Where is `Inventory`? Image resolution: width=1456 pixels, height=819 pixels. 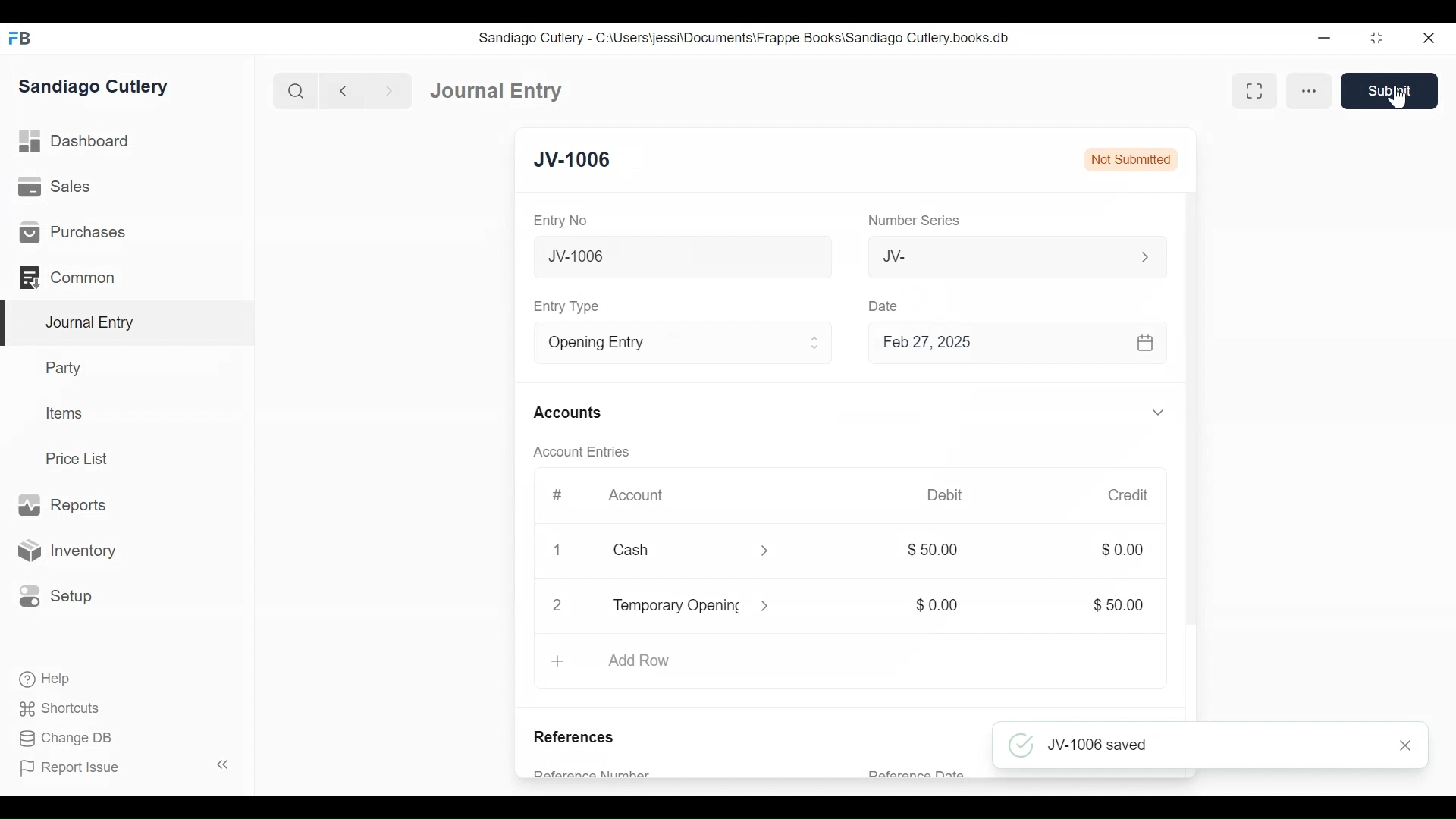
Inventory is located at coordinates (65, 550).